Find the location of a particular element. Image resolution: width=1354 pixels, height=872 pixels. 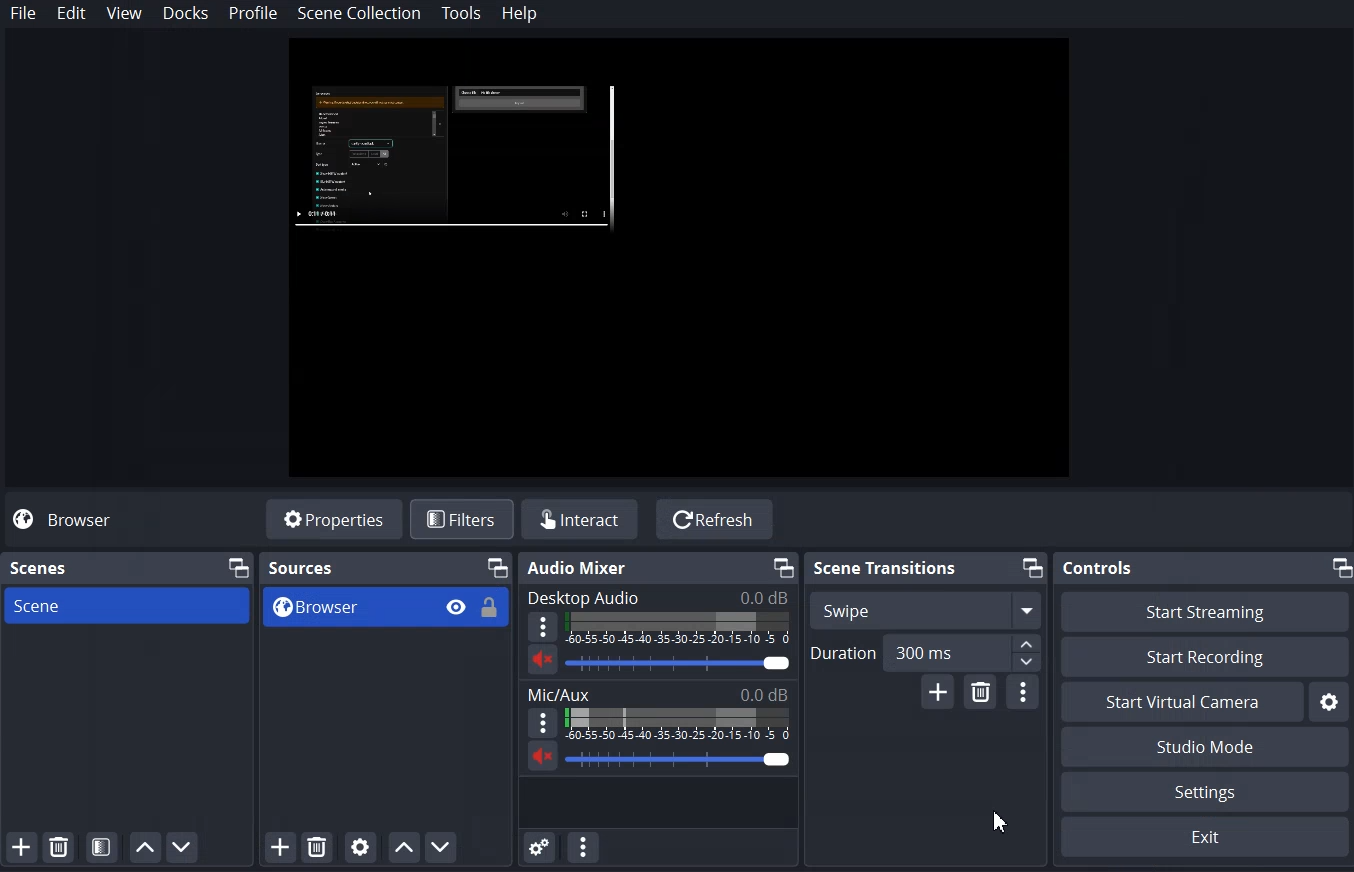

Start Recording is located at coordinates (1205, 656).